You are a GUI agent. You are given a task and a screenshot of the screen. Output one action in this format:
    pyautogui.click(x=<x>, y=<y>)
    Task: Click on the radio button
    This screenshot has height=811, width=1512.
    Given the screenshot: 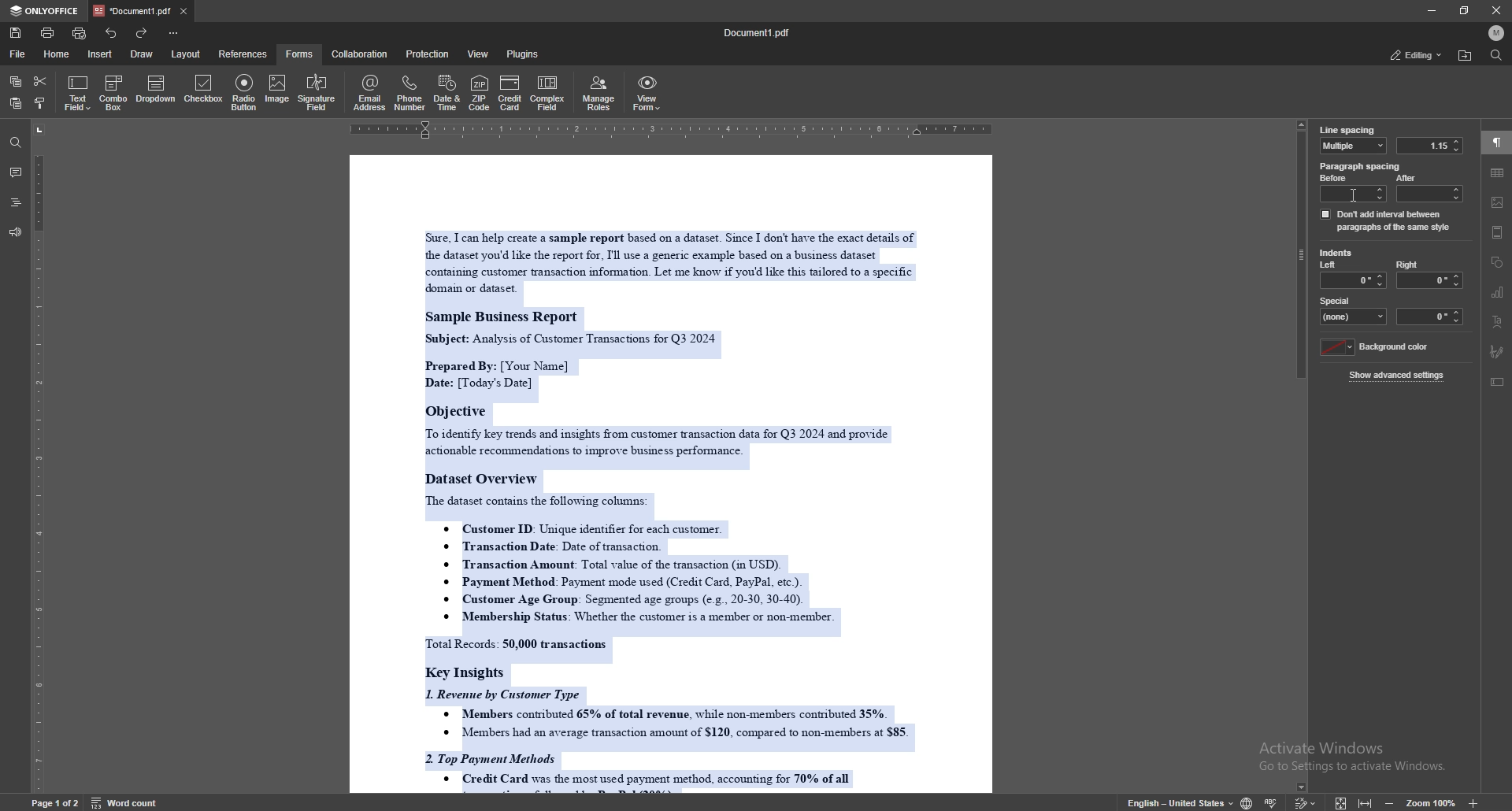 What is the action you would take?
    pyautogui.click(x=246, y=92)
    